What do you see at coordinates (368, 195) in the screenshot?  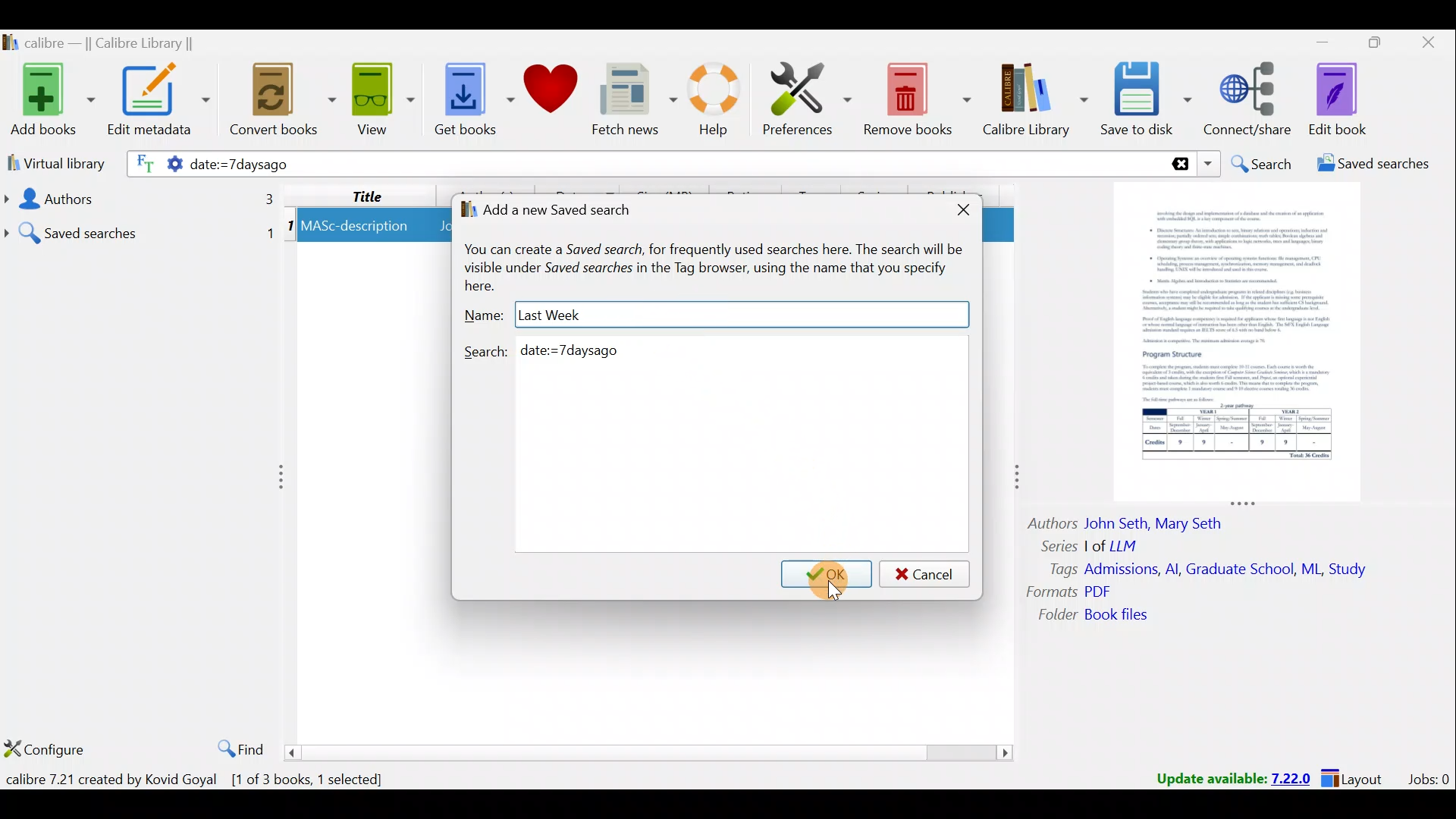 I see `Title` at bounding box center [368, 195].